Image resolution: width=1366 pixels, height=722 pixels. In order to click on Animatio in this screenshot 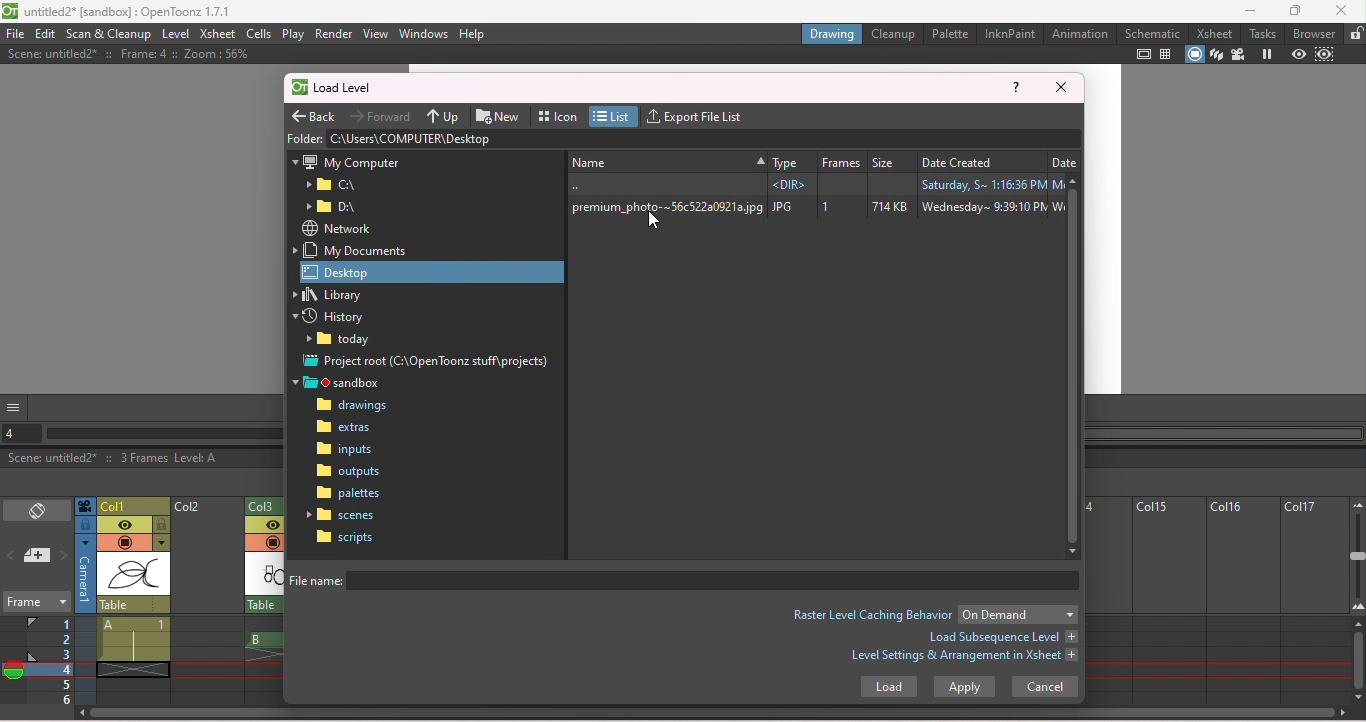, I will do `click(1079, 33)`.